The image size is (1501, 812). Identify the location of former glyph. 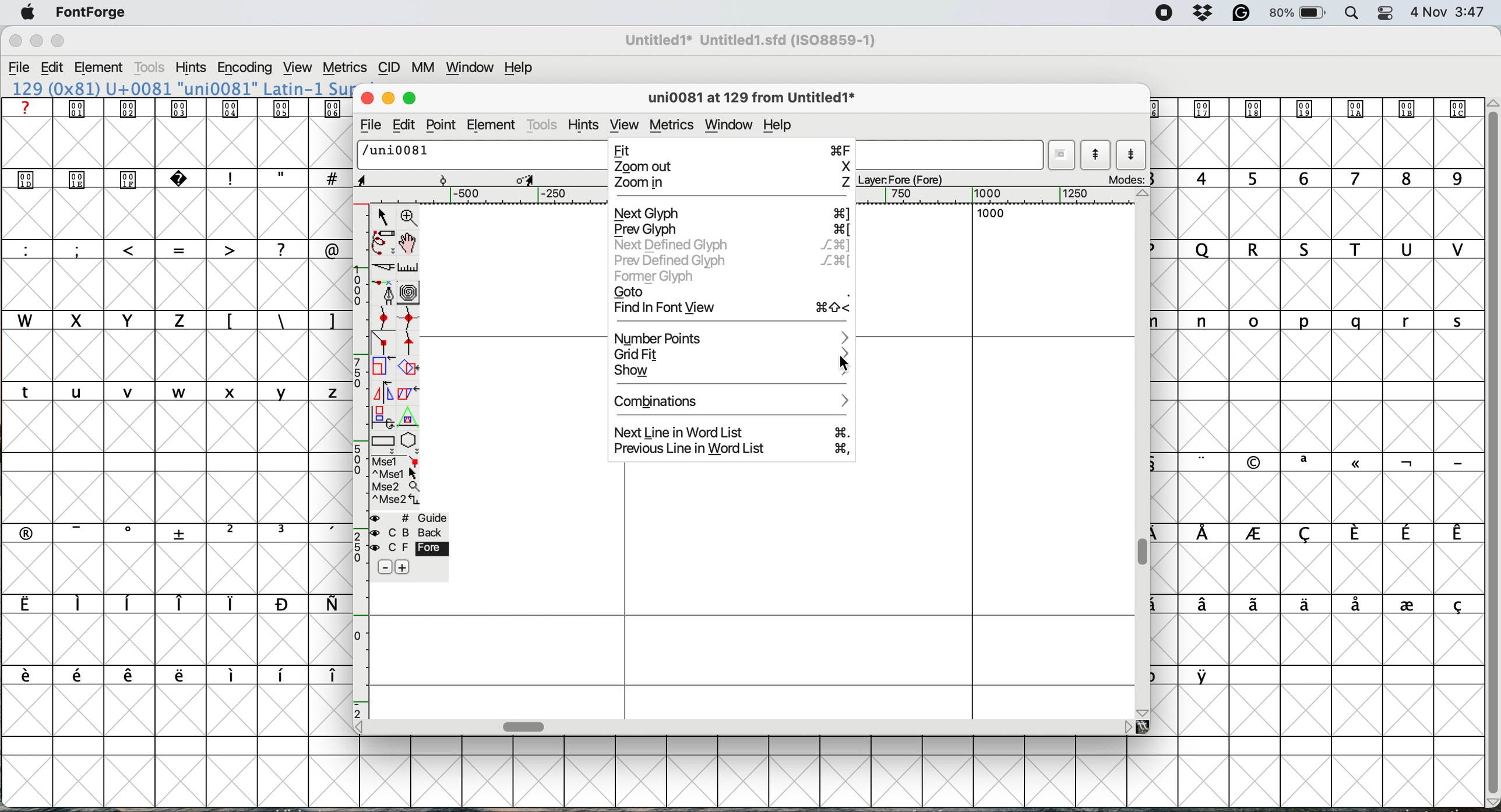
(656, 277).